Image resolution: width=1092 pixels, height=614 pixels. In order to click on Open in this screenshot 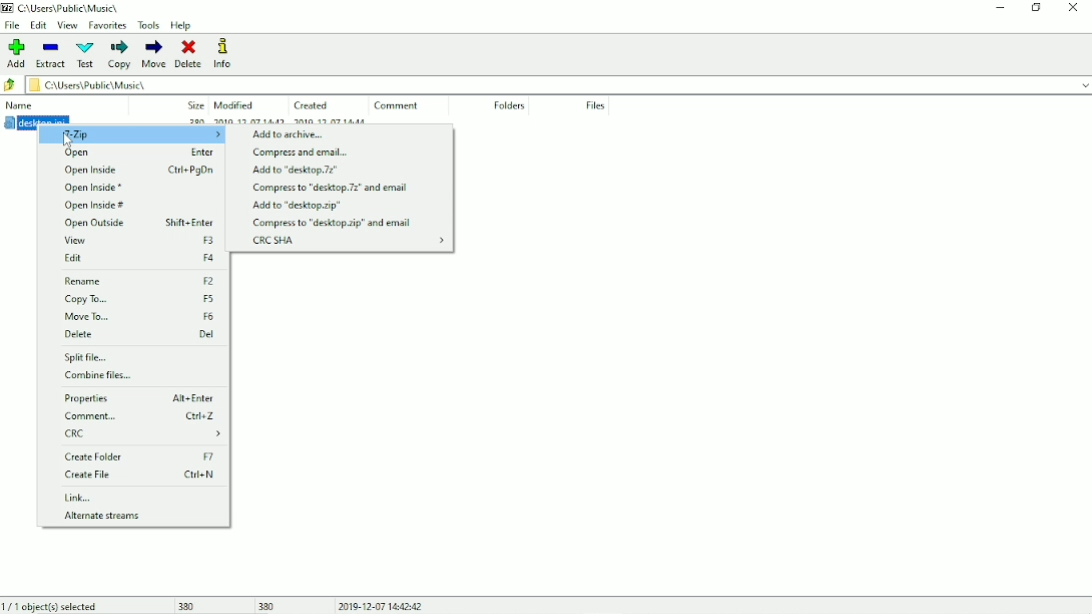, I will do `click(132, 153)`.